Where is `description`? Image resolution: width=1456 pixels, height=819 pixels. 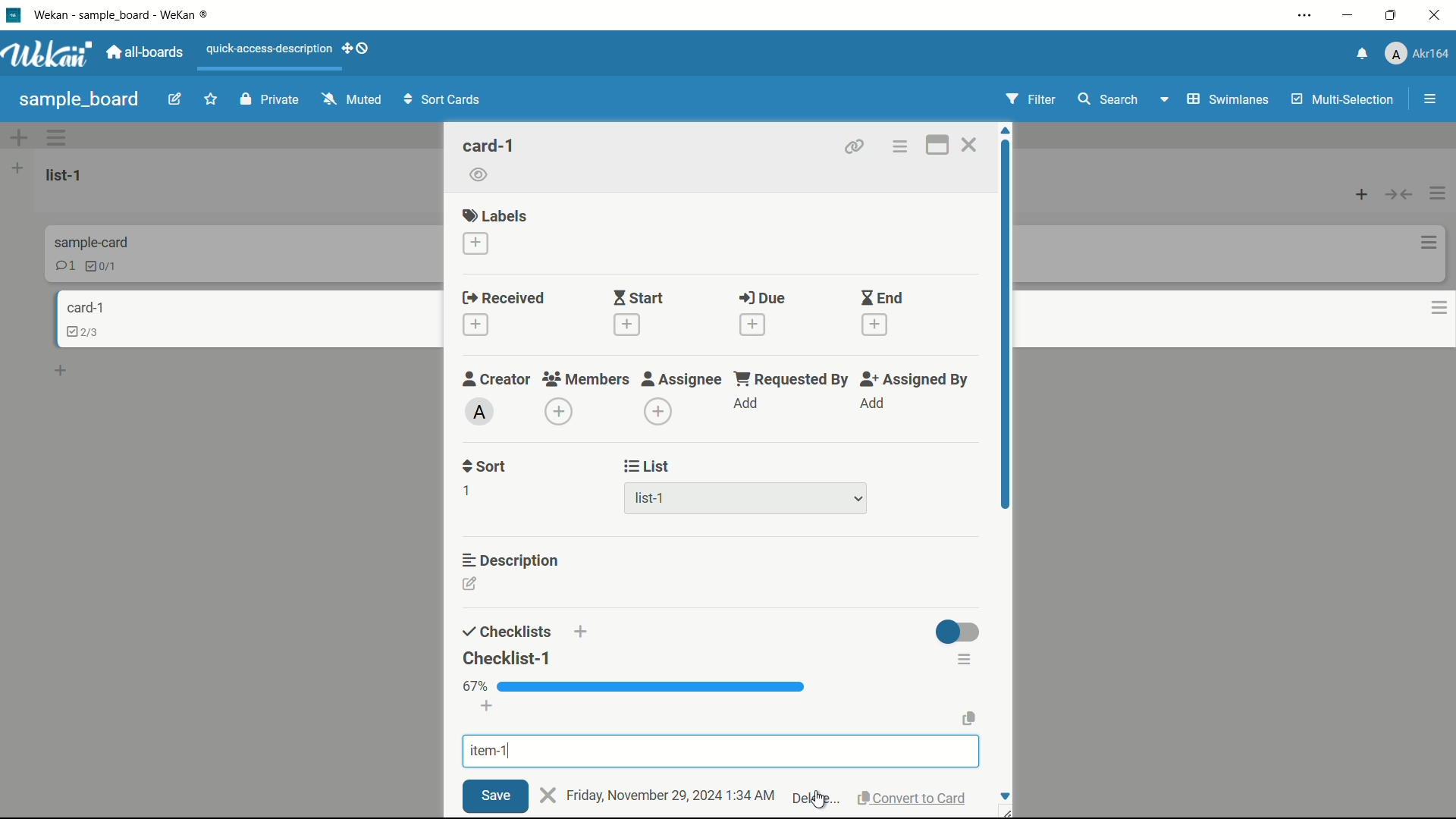 description is located at coordinates (515, 561).